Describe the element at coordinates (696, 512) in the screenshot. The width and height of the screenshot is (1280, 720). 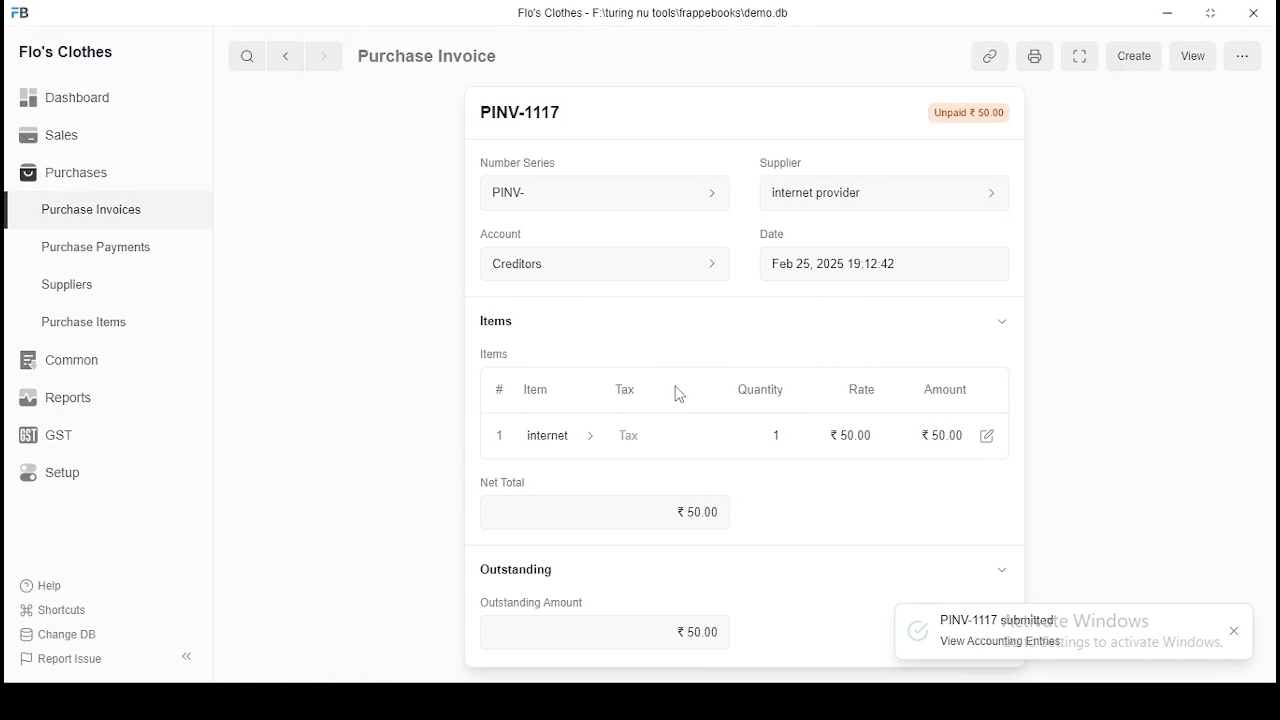
I see `50.00` at that location.